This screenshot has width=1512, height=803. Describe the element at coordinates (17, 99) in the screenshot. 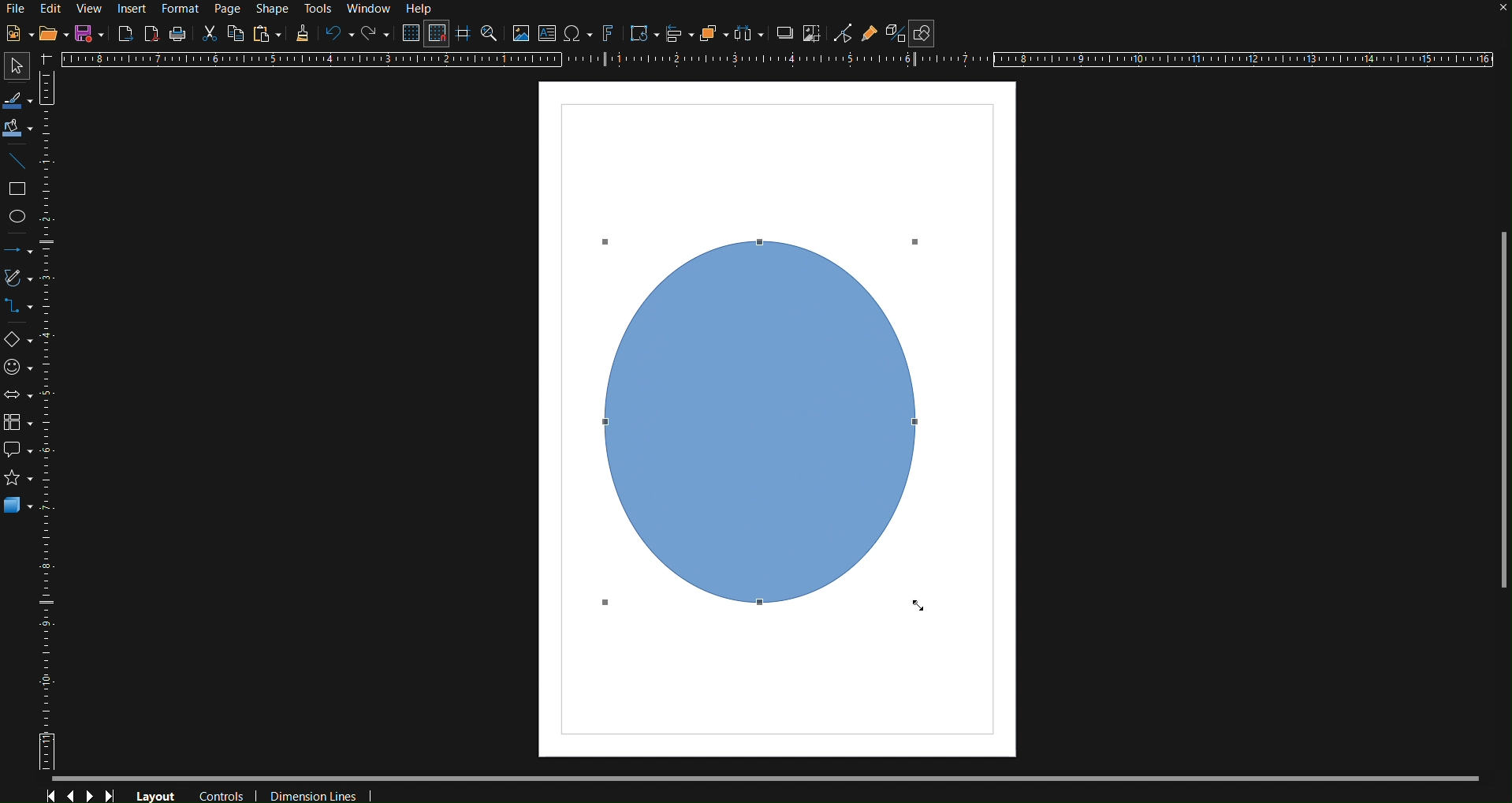

I see `Line Color` at that location.